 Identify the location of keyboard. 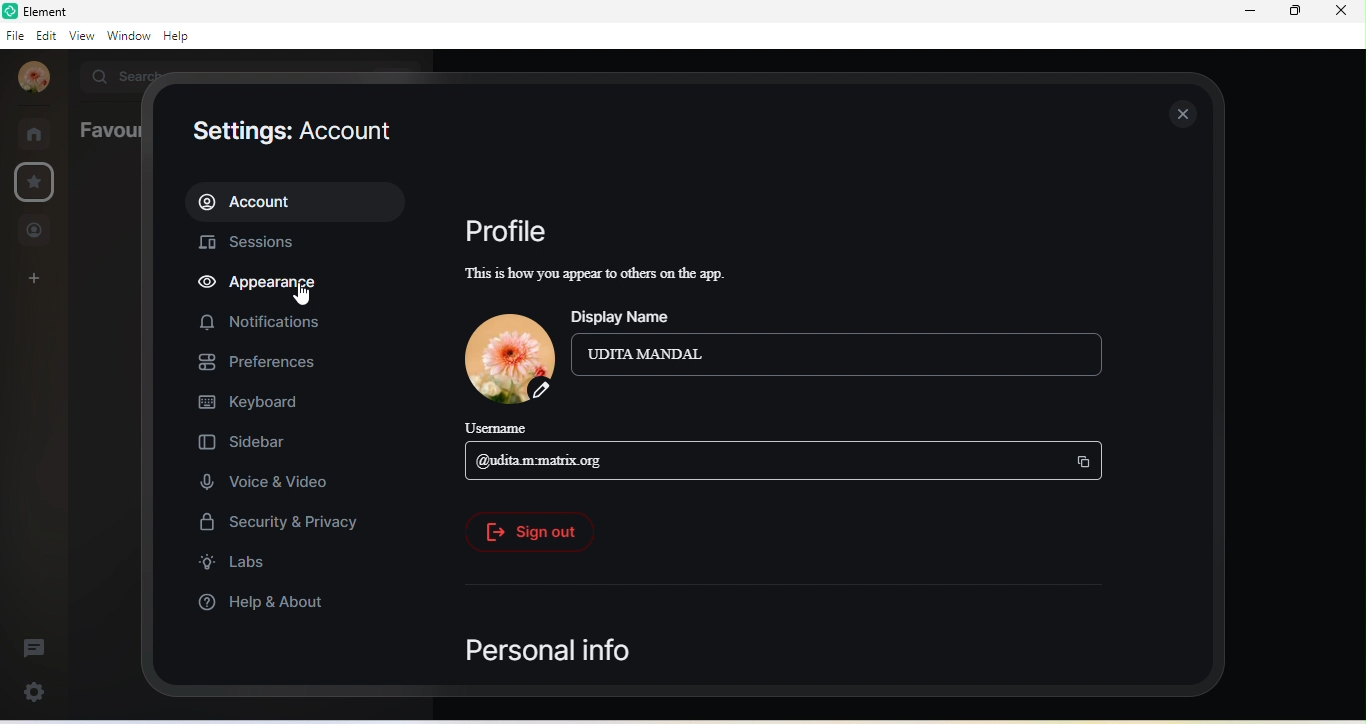
(251, 402).